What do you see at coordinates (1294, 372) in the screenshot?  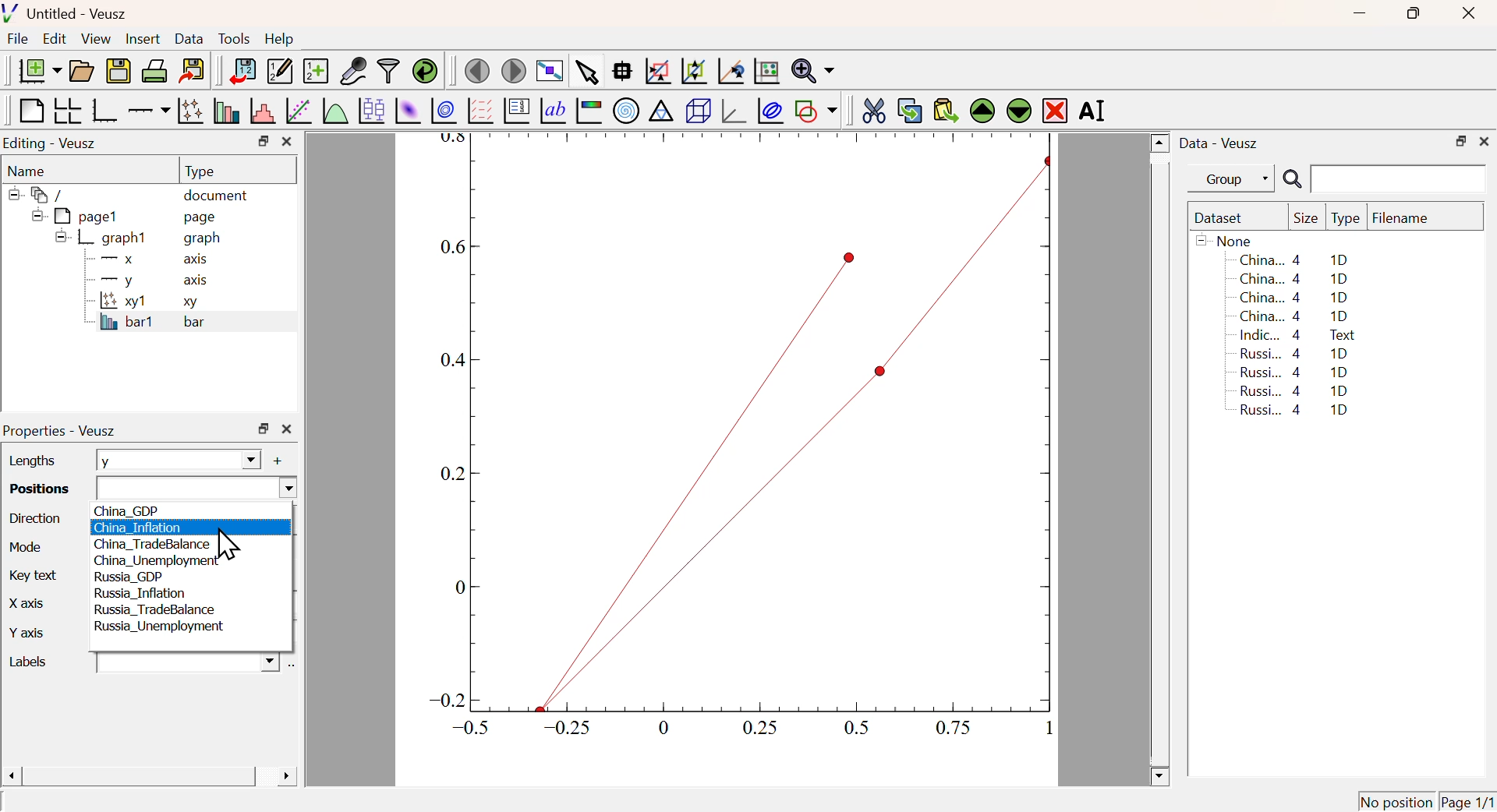 I see `Russi... 4 1D` at bounding box center [1294, 372].